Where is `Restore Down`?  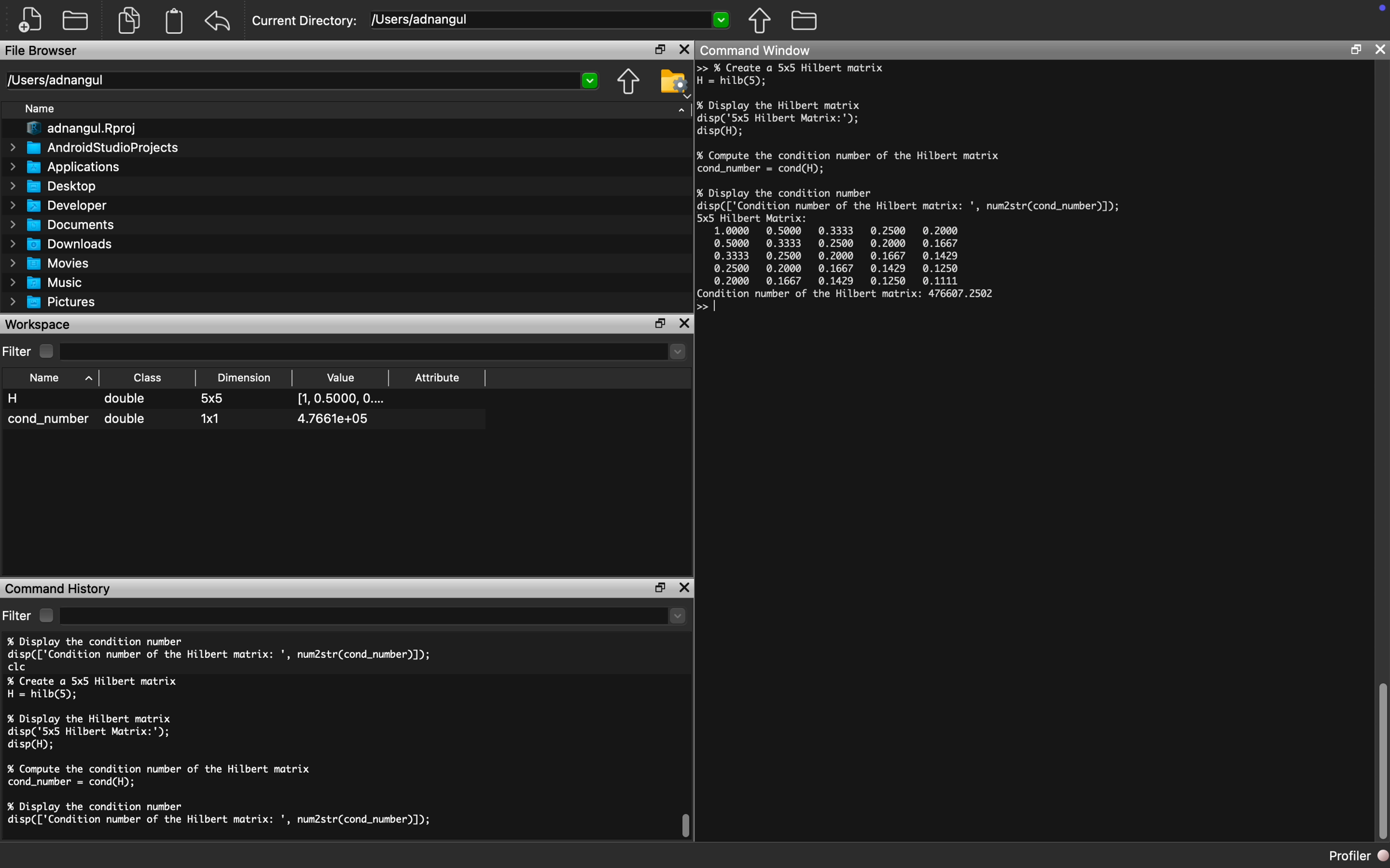
Restore Down is located at coordinates (659, 587).